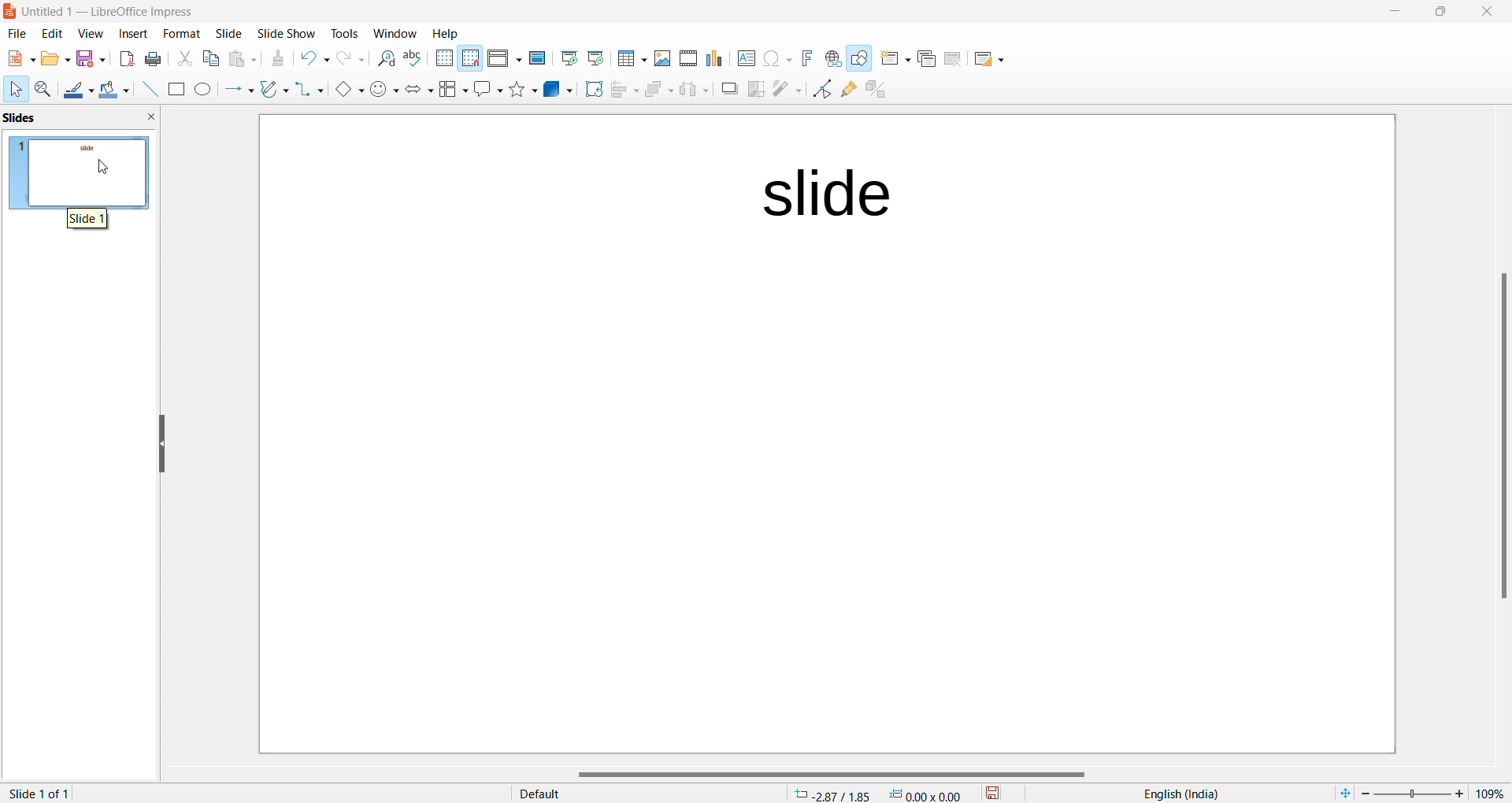 This screenshot has width=1512, height=803. What do you see at coordinates (754, 90) in the screenshot?
I see `crop image` at bounding box center [754, 90].